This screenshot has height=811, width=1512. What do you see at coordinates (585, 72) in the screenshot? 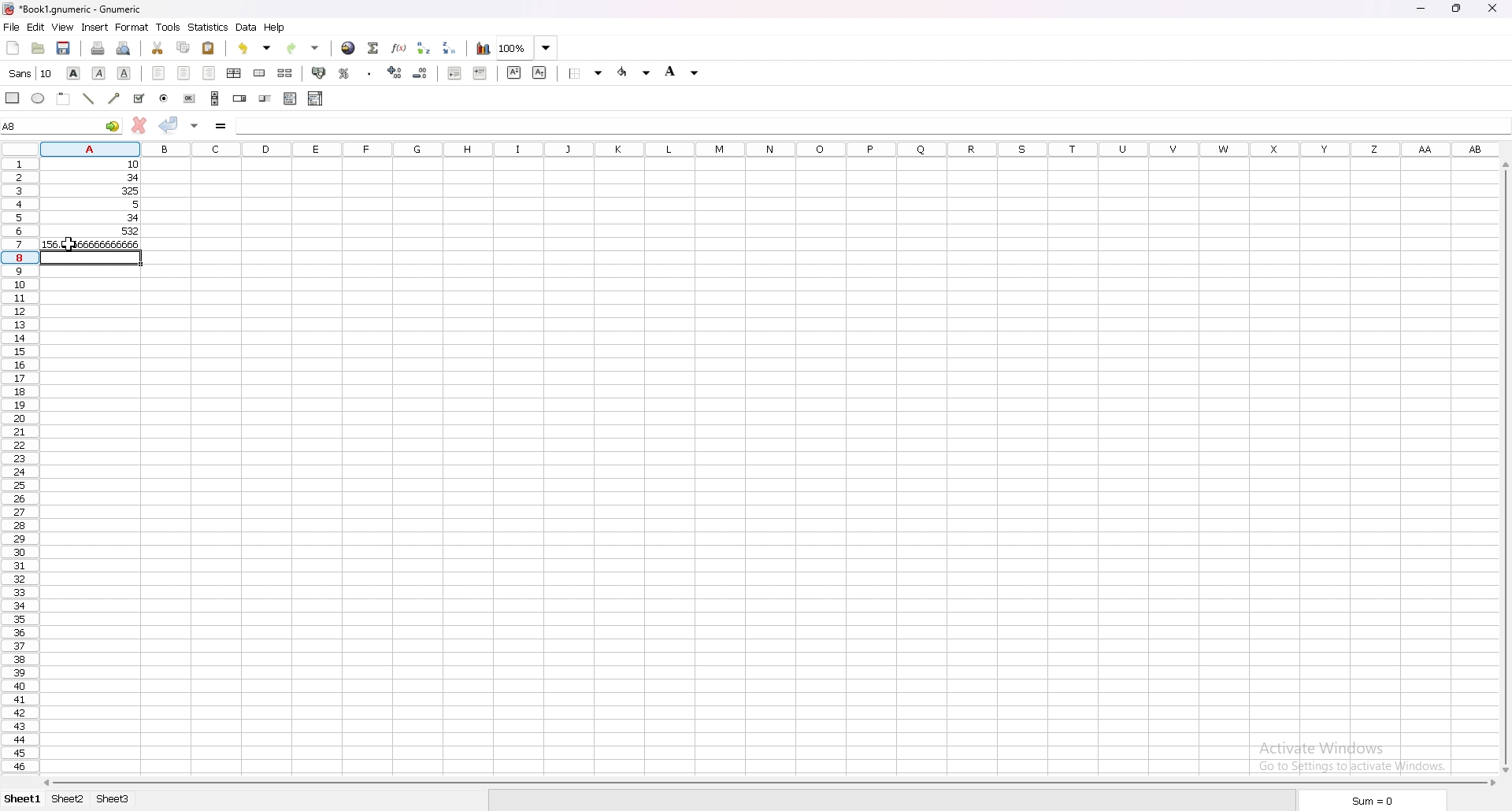
I see `border` at bounding box center [585, 72].